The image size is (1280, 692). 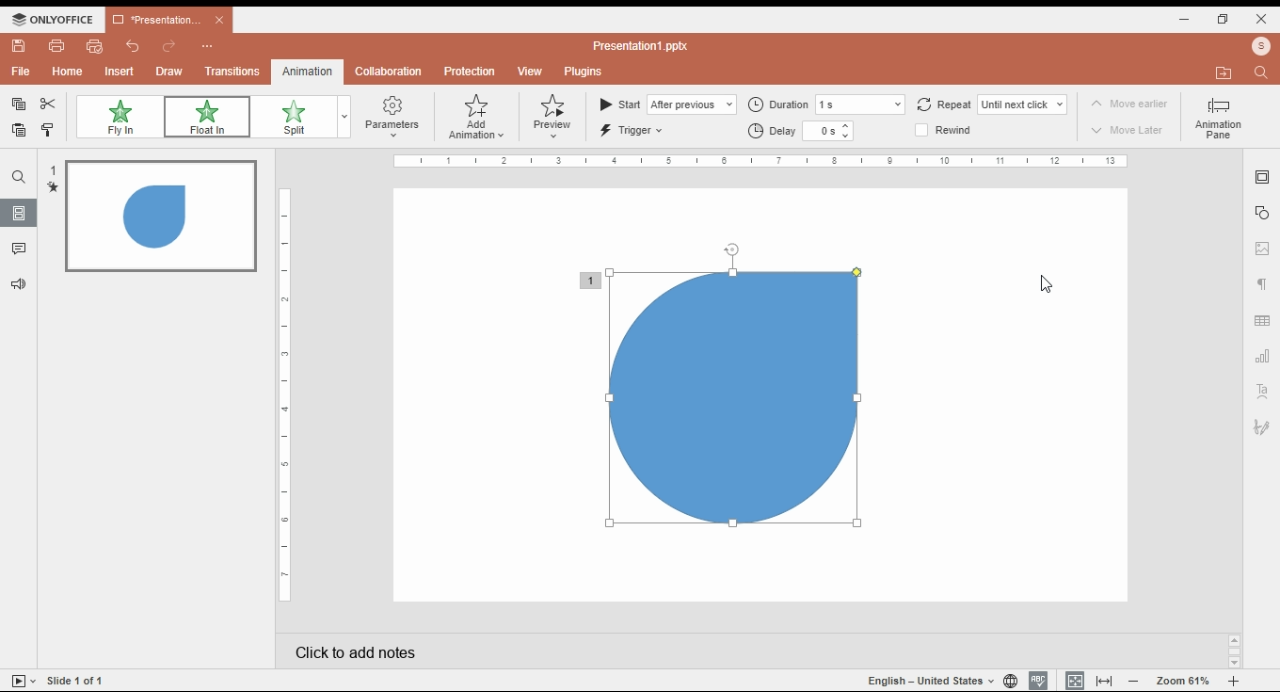 I want to click on rewind, so click(x=952, y=131).